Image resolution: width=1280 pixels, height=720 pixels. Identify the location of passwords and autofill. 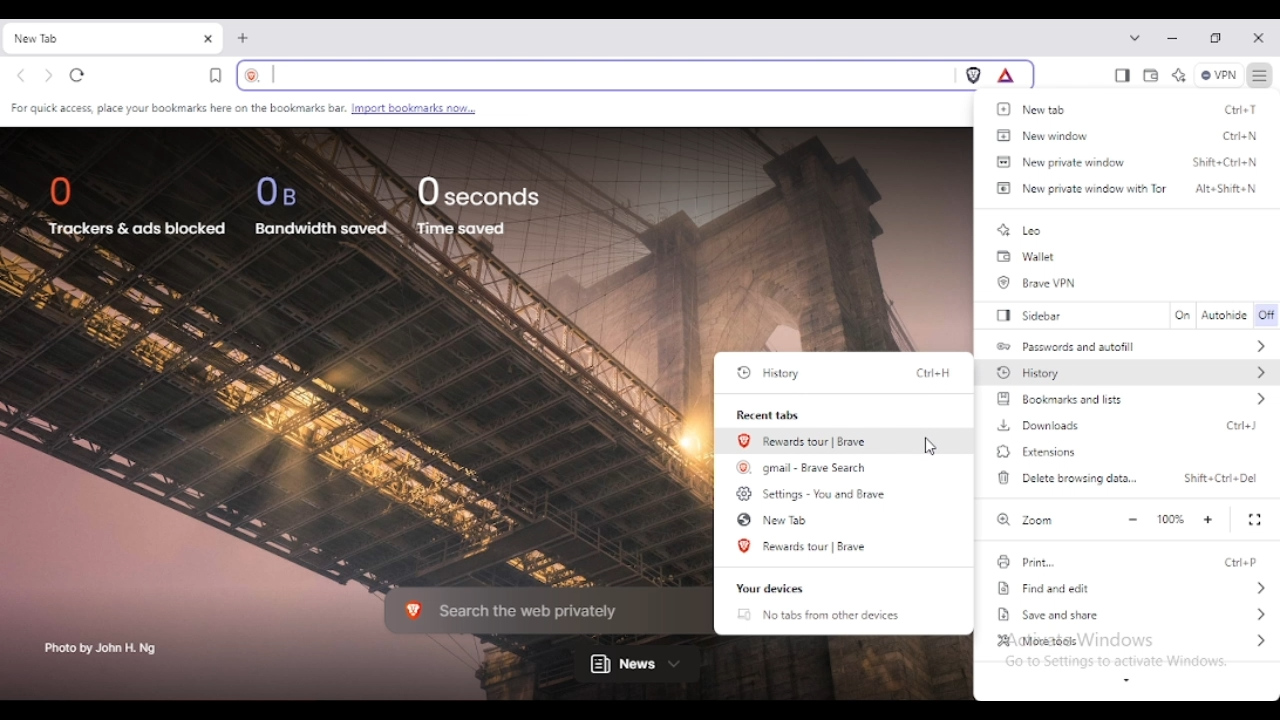
(1133, 345).